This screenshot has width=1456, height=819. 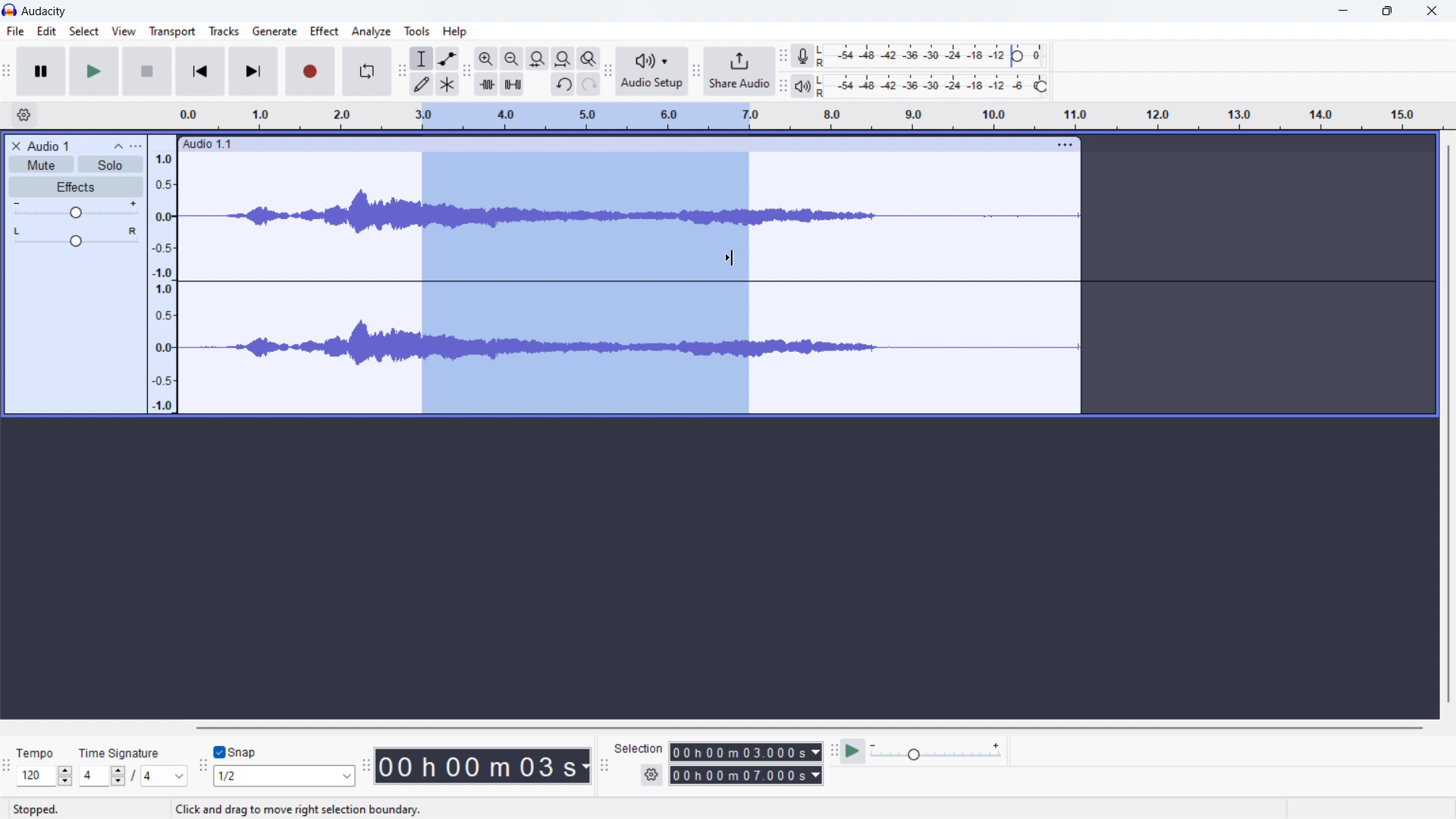 What do you see at coordinates (120, 753) in the screenshot?
I see `time signature` at bounding box center [120, 753].